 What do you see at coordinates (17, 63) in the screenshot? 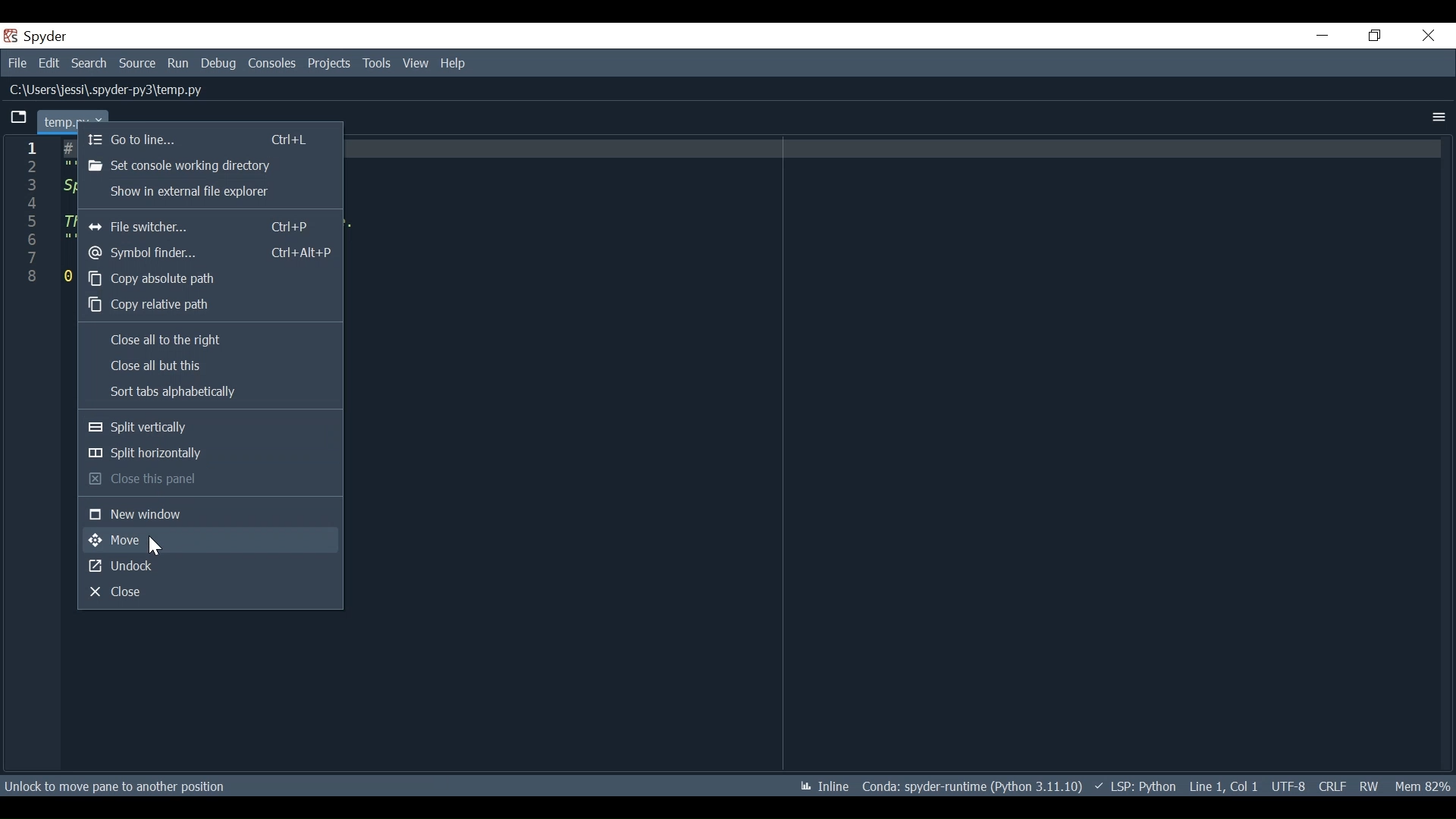
I see `File` at bounding box center [17, 63].